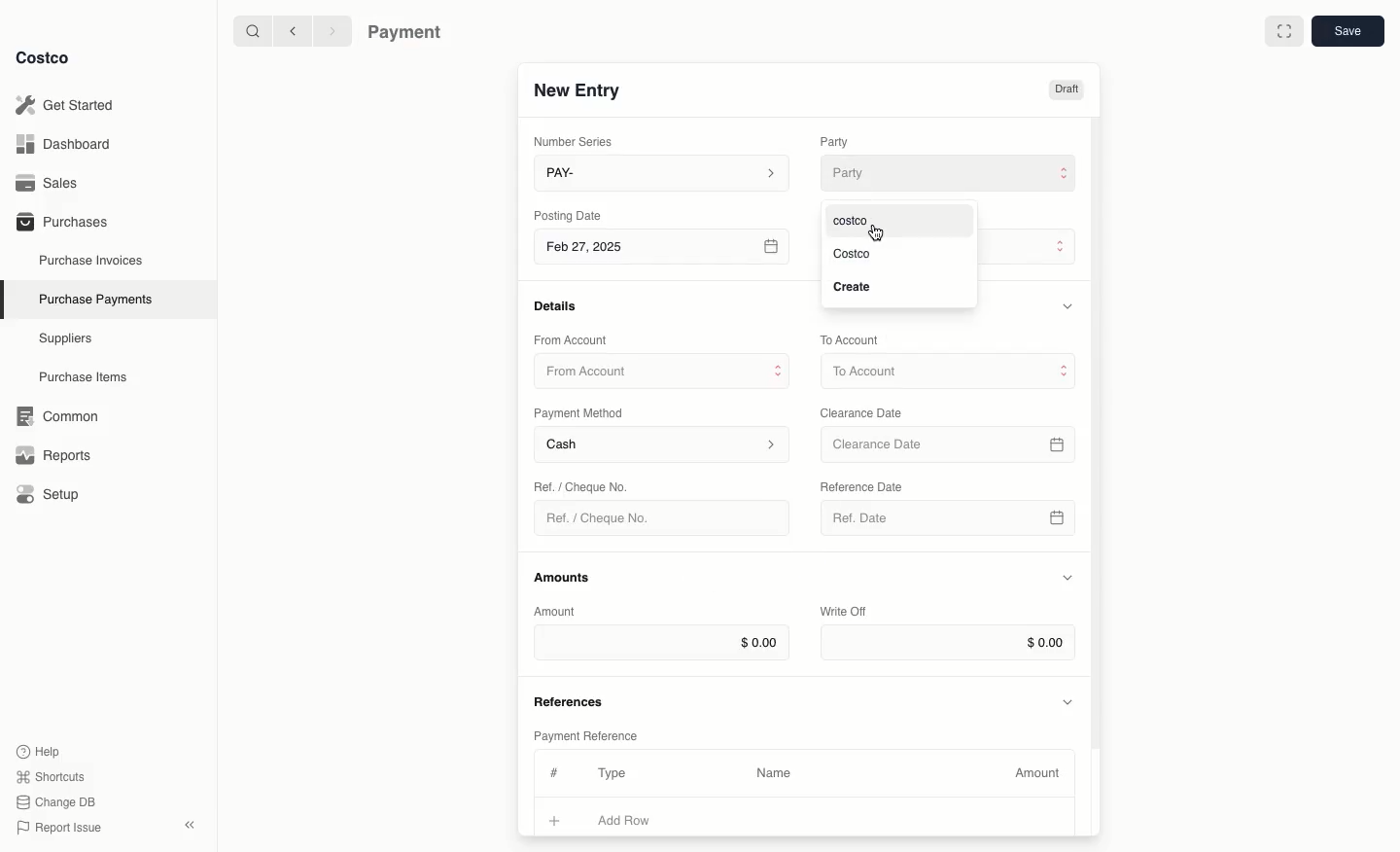 The image size is (1400, 852). Describe the element at coordinates (551, 770) in the screenshot. I see `#` at that location.